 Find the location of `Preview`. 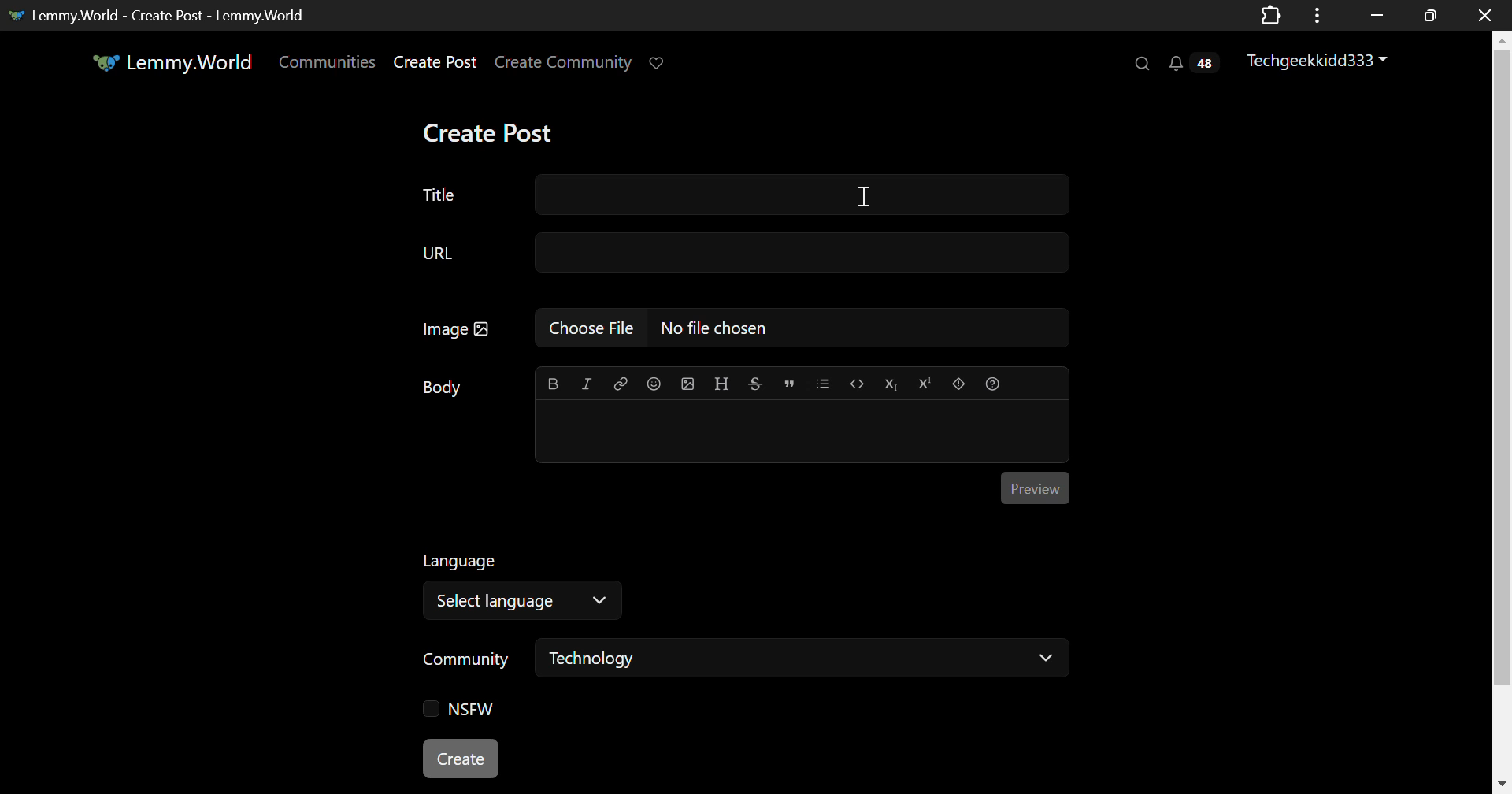

Preview is located at coordinates (1034, 489).